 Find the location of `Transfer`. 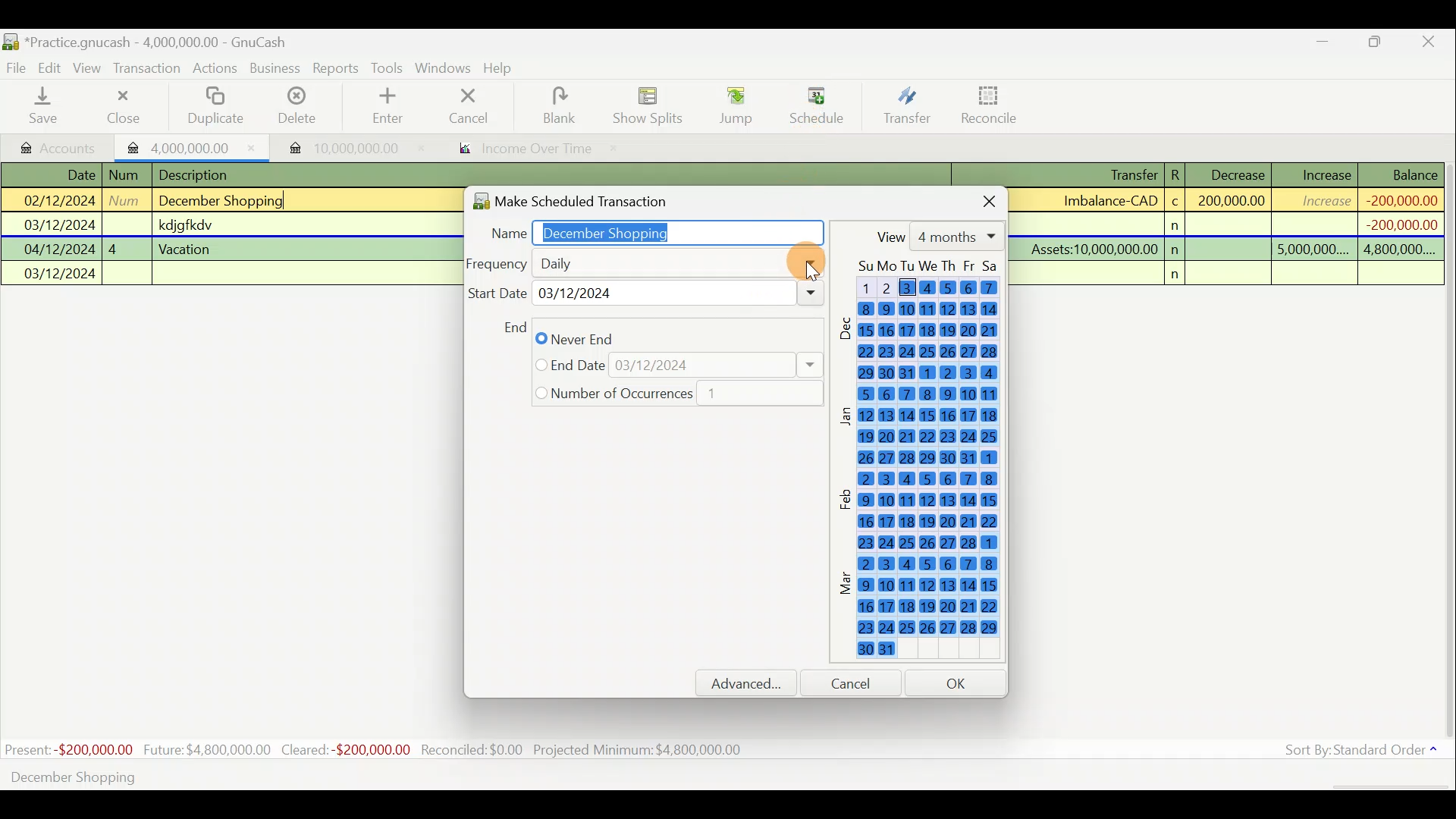

Transfer is located at coordinates (907, 105).